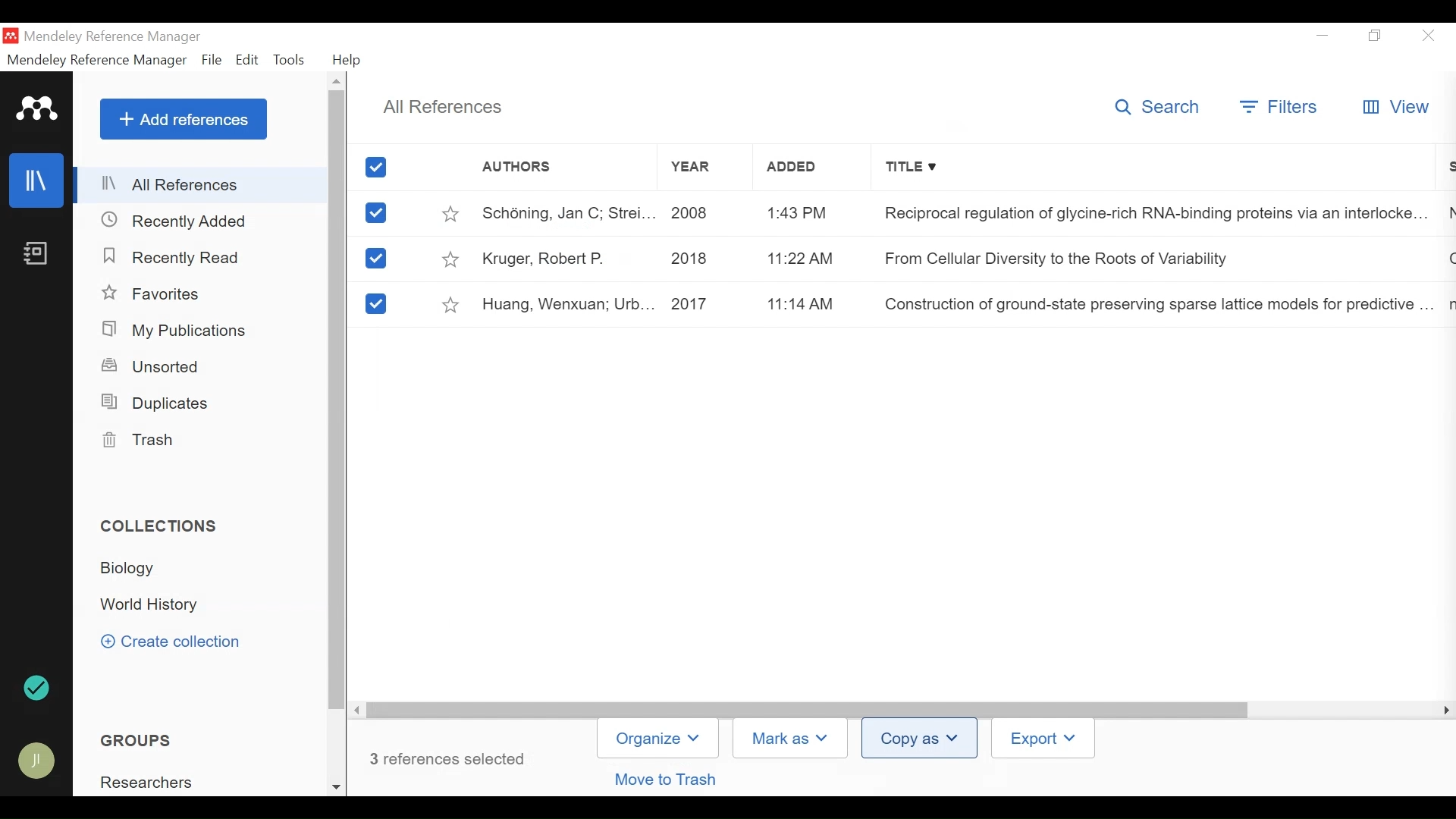 The width and height of the screenshot is (1456, 819). Describe the element at coordinates (139, 441) in the screenshot. I see `Trash` at that location.